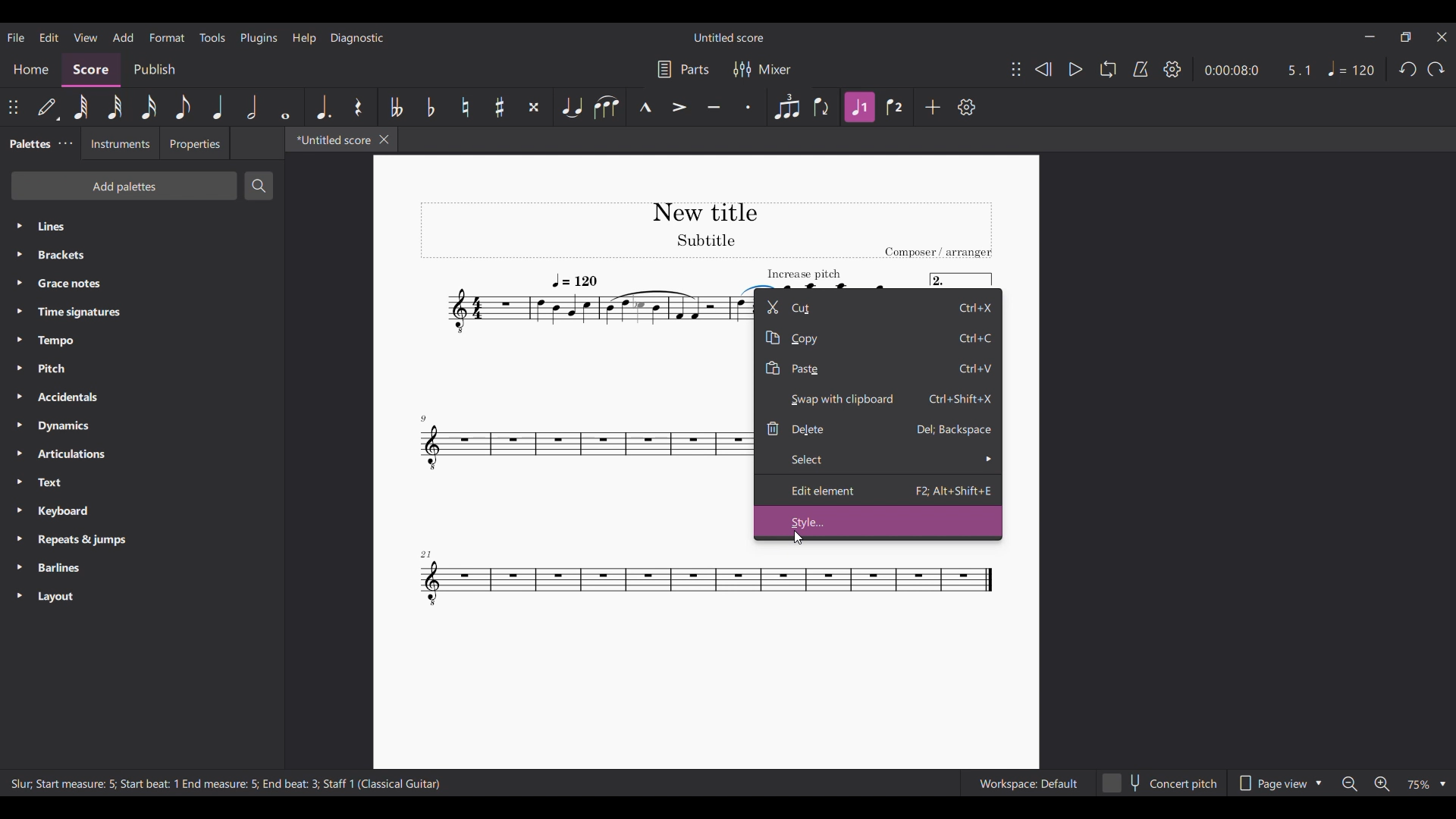 The height and width of the screenshot is (819, 1456). What do you see at coordinates (141, 397) in the screenshot?
I see `Accidentals` at bounding box center [141, 397].